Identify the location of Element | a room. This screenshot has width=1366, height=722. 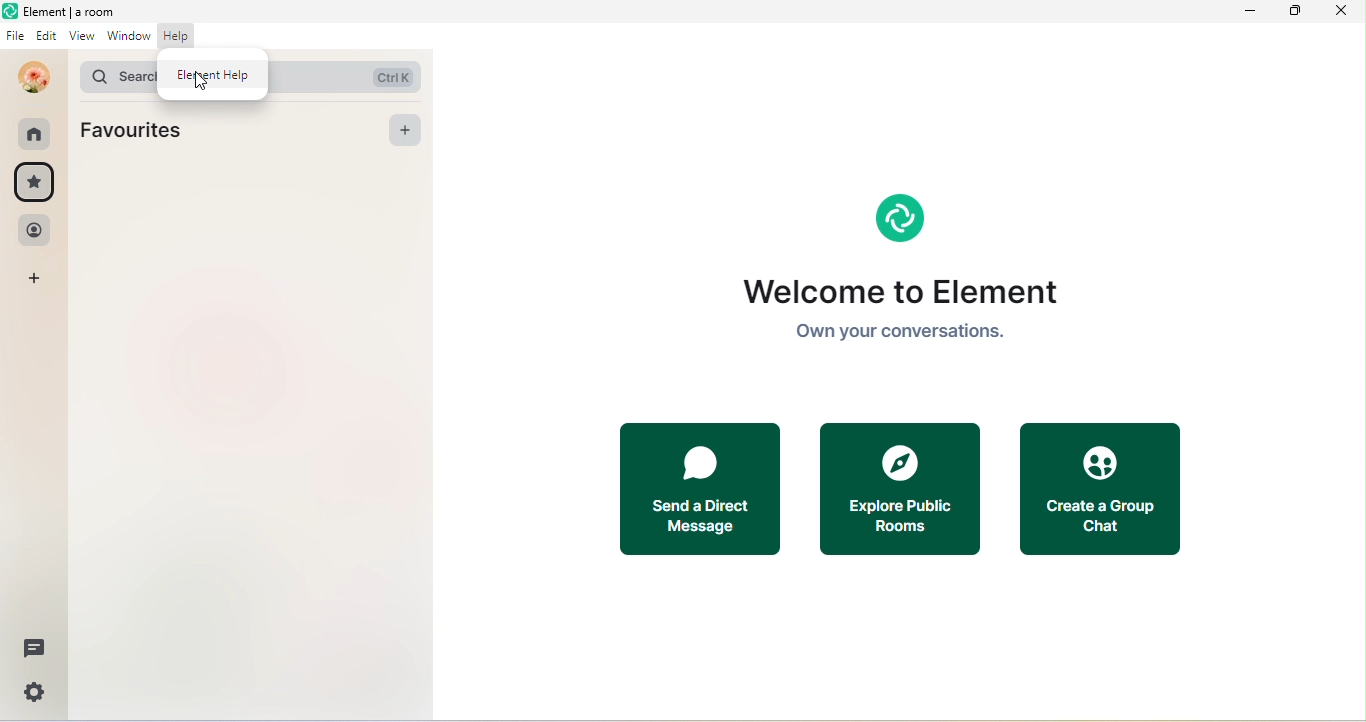
(61, 10).